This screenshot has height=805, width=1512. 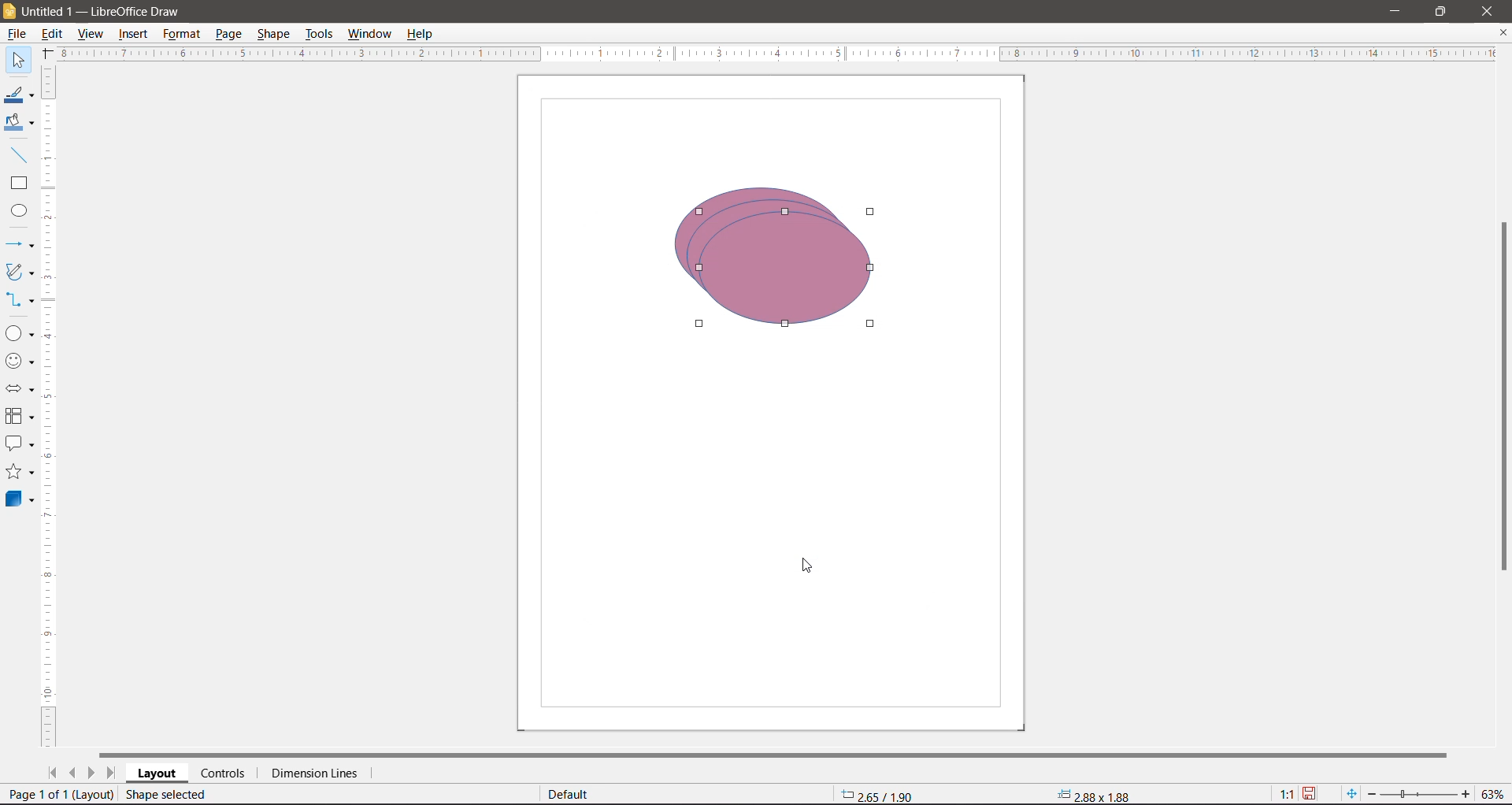 I want to click on Horizontal Ruler, so click(x=773, y=54).